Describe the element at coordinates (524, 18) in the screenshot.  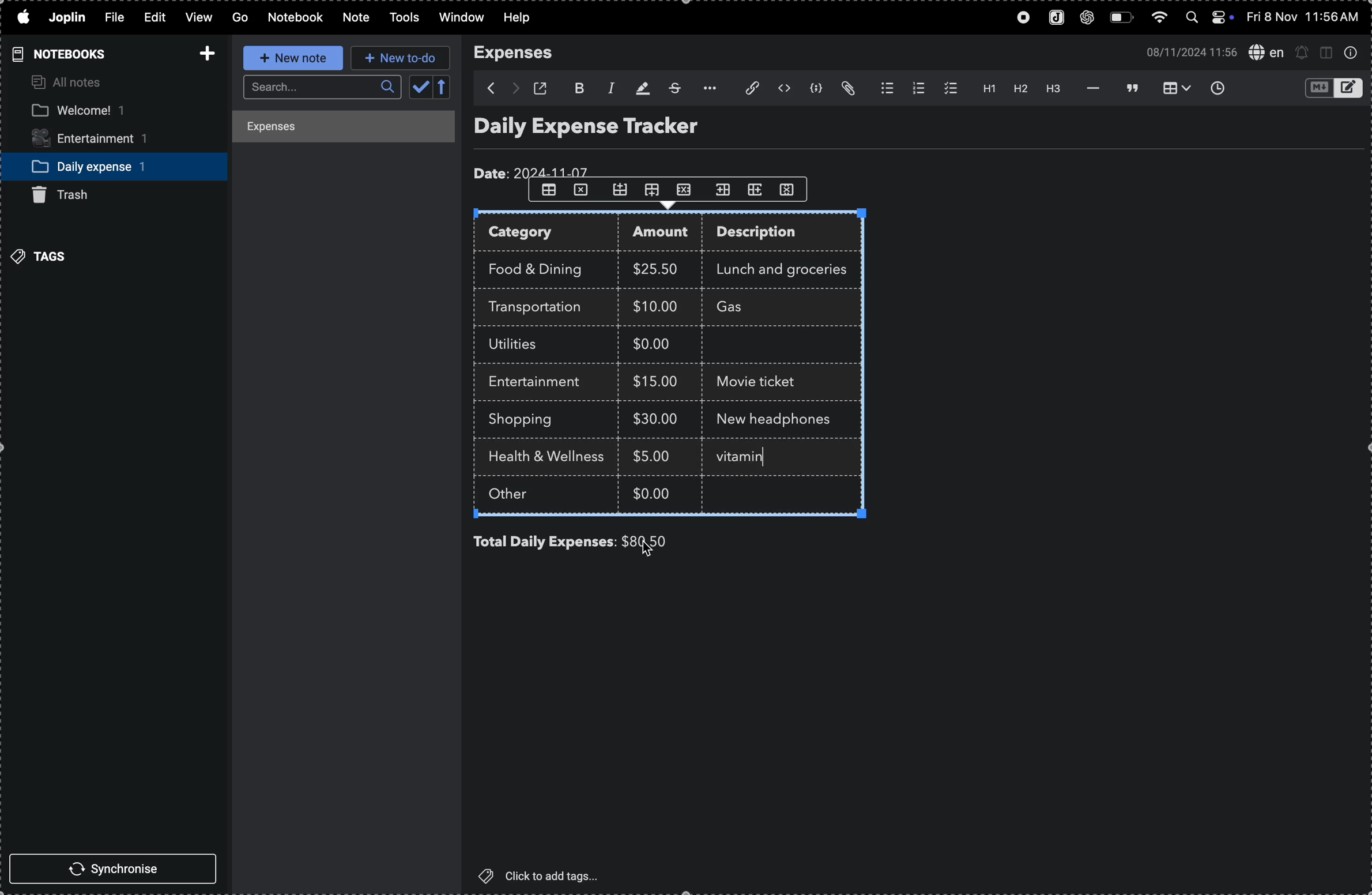
I see `help` at that location.